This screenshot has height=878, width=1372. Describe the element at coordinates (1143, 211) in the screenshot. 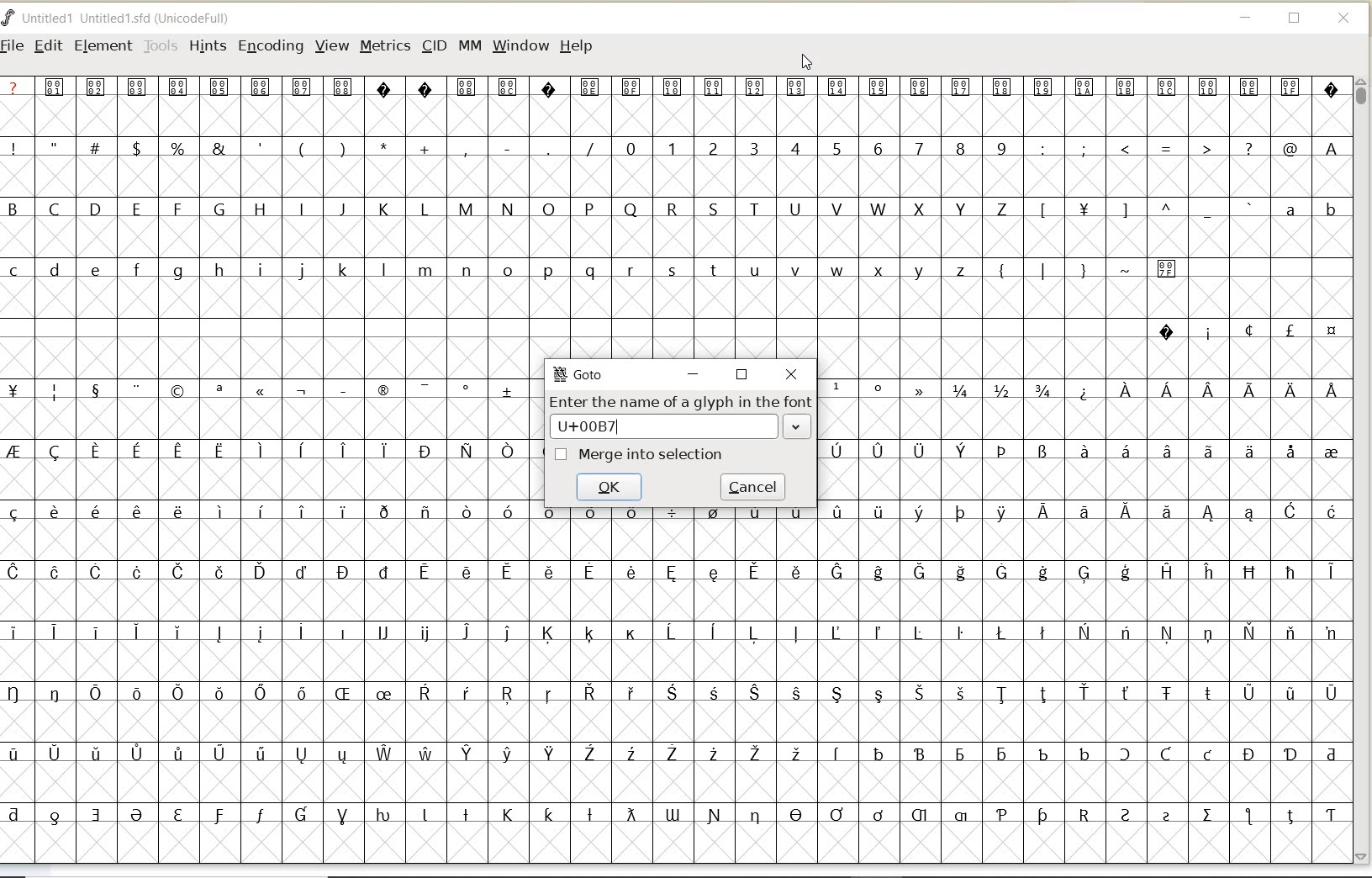

I see `` at that location.